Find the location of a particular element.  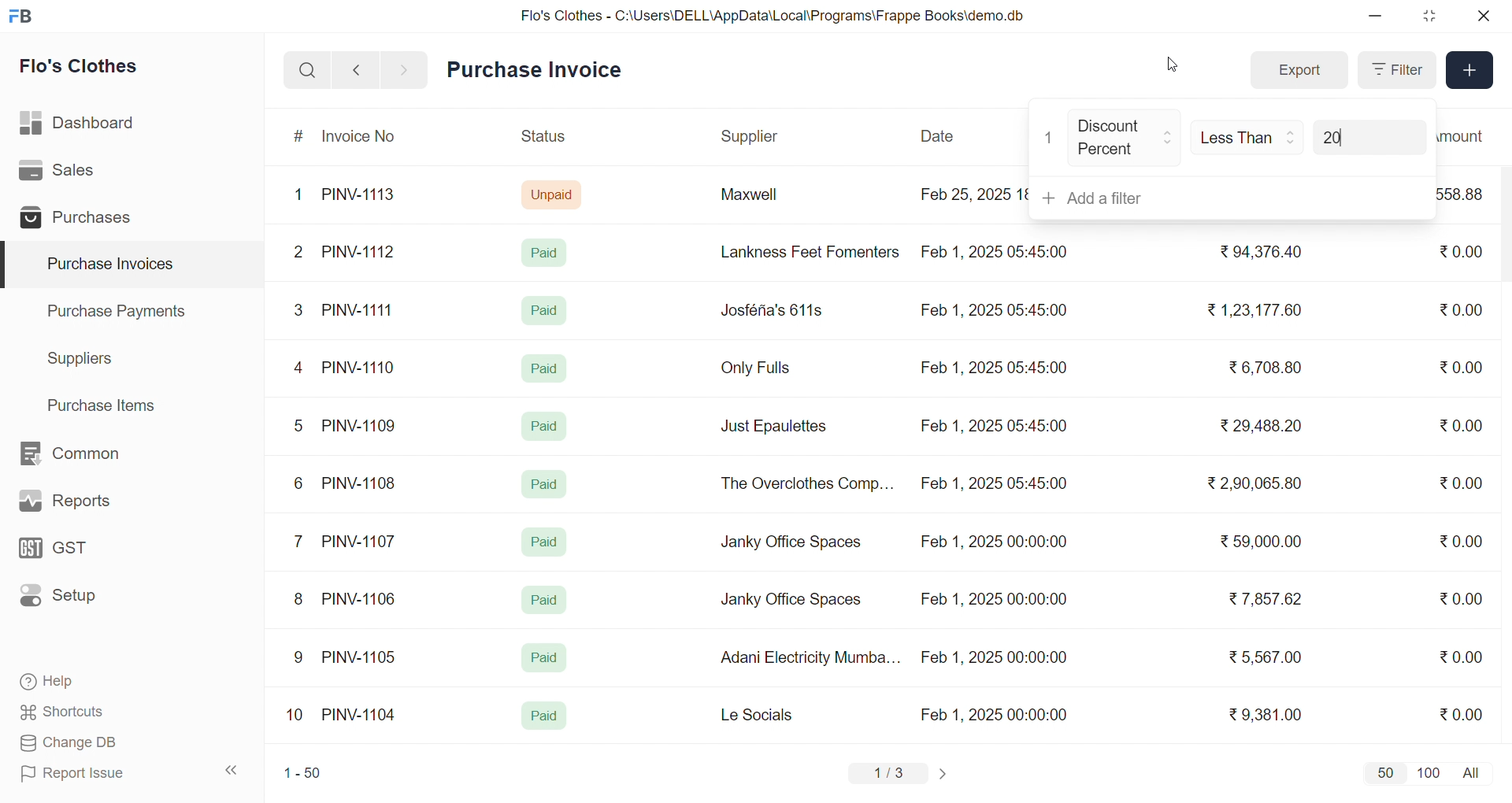

change page is located at coordinates (945, 773).